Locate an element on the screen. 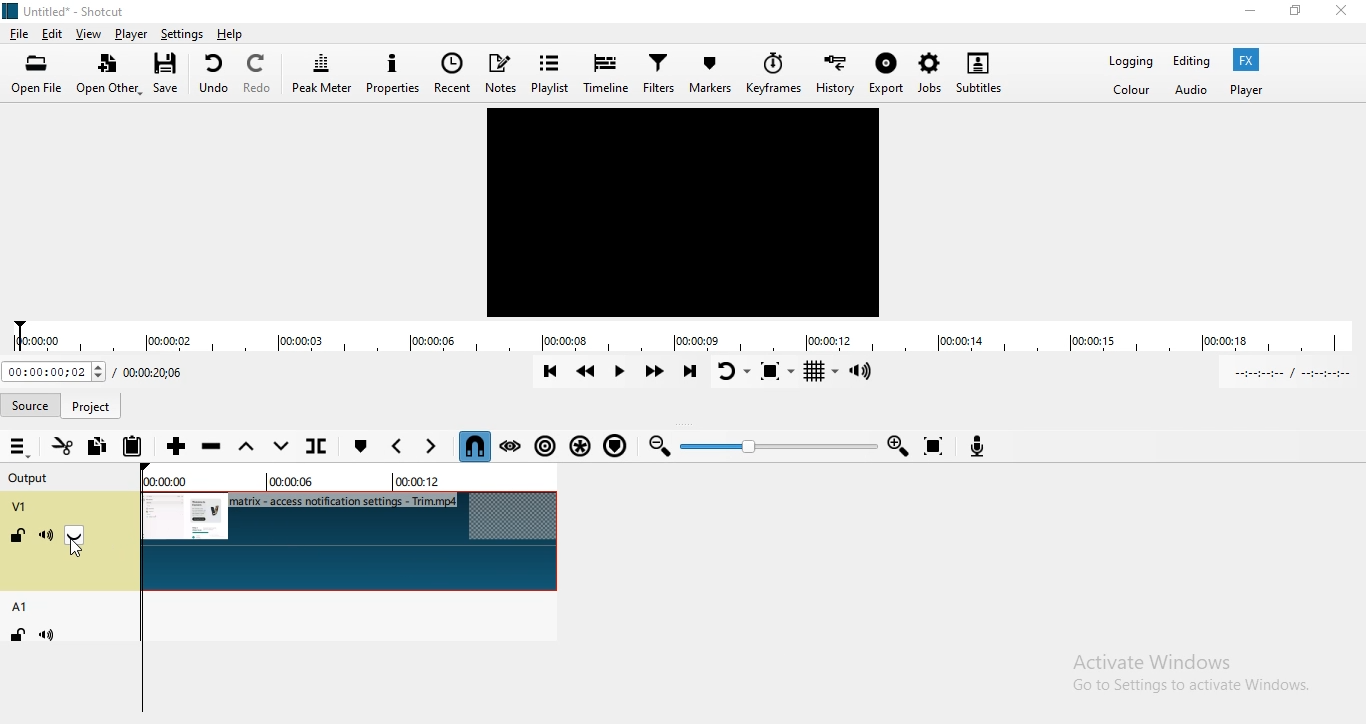  Toggle grid display  is located at coordinates (824, 375).